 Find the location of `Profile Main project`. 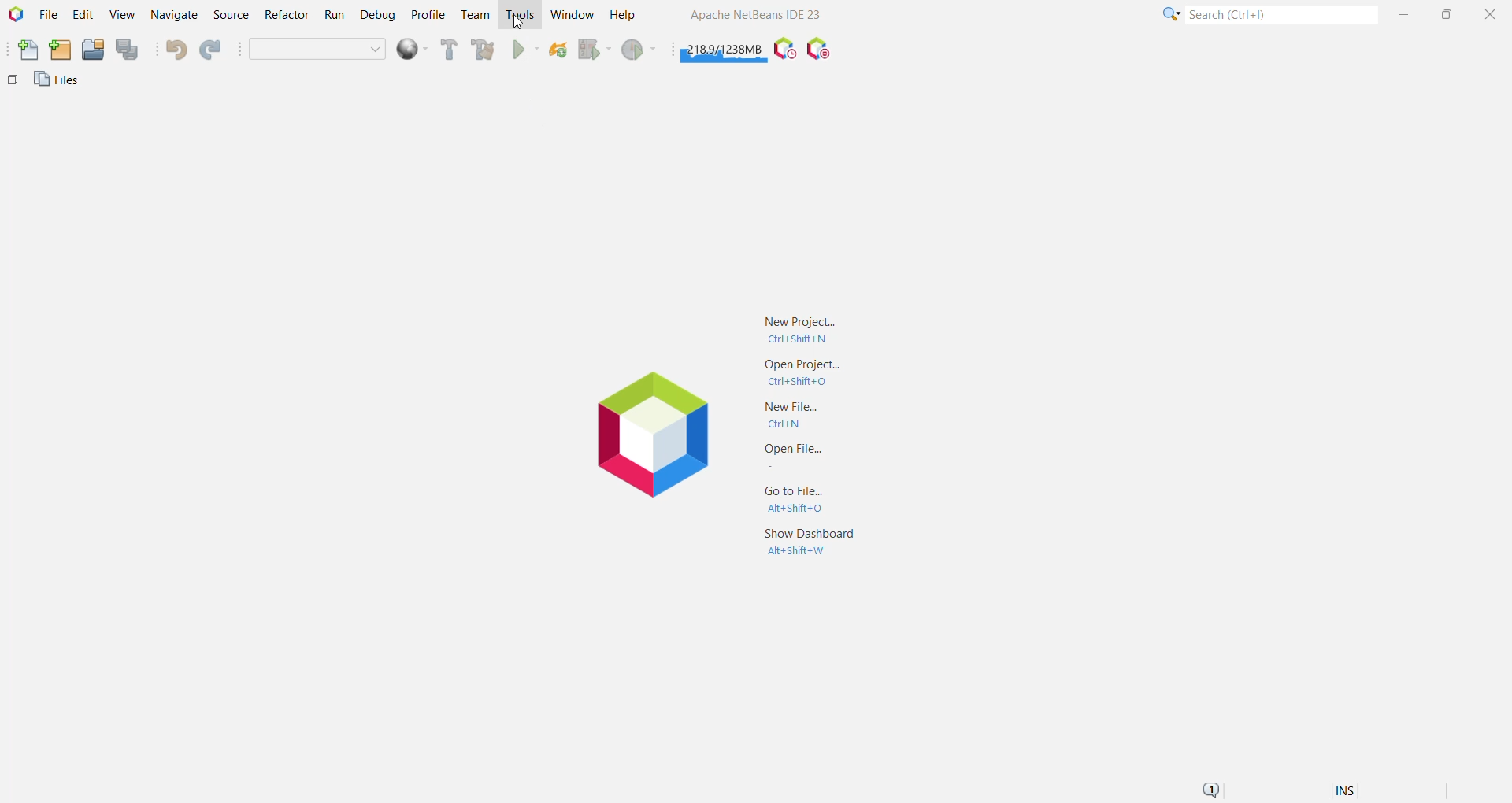

Profile Main project is located at coordinates (640, 51).